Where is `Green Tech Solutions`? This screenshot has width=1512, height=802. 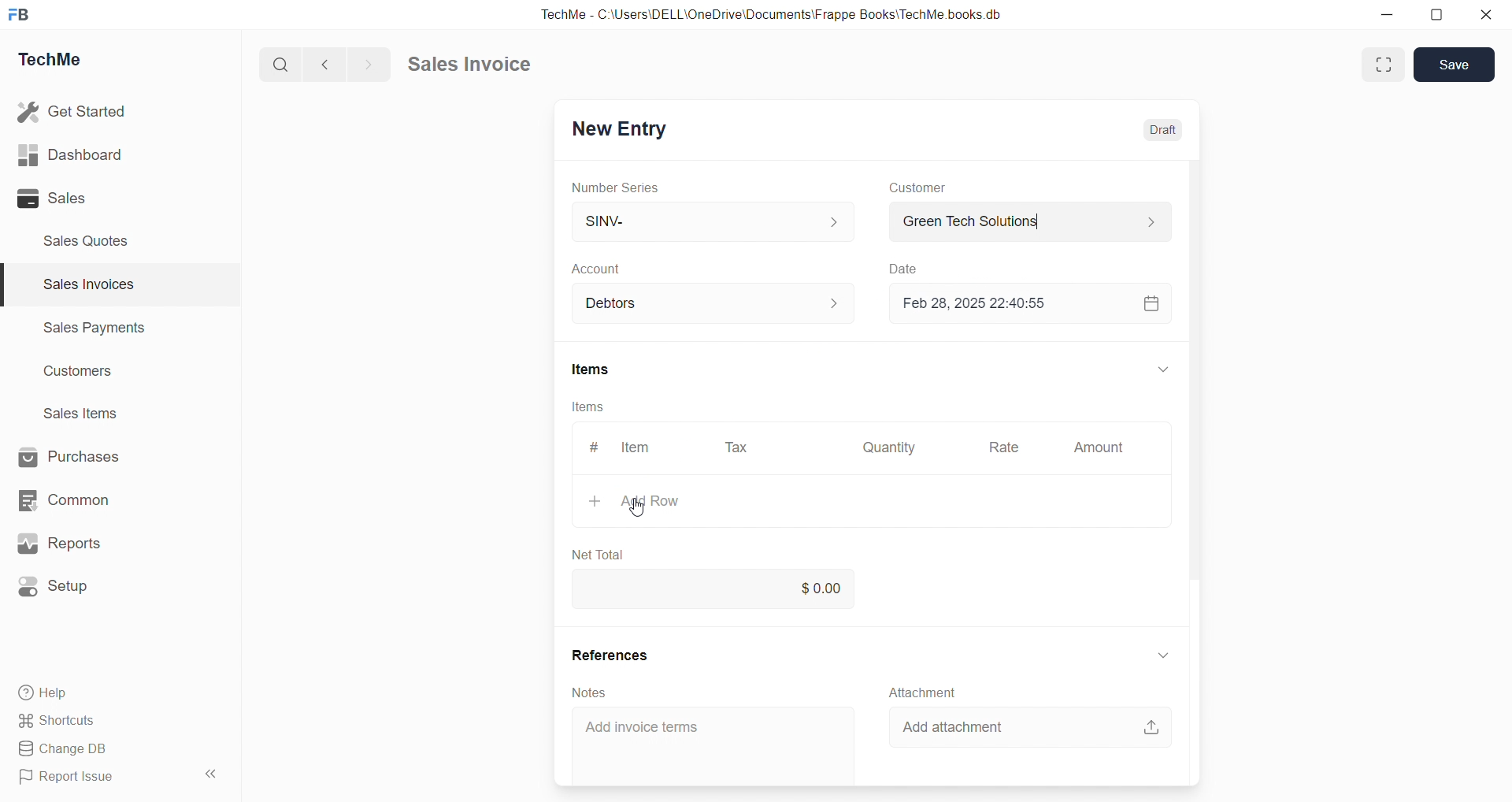
Green Tech Solutions is located at coordinates (1032, 221).